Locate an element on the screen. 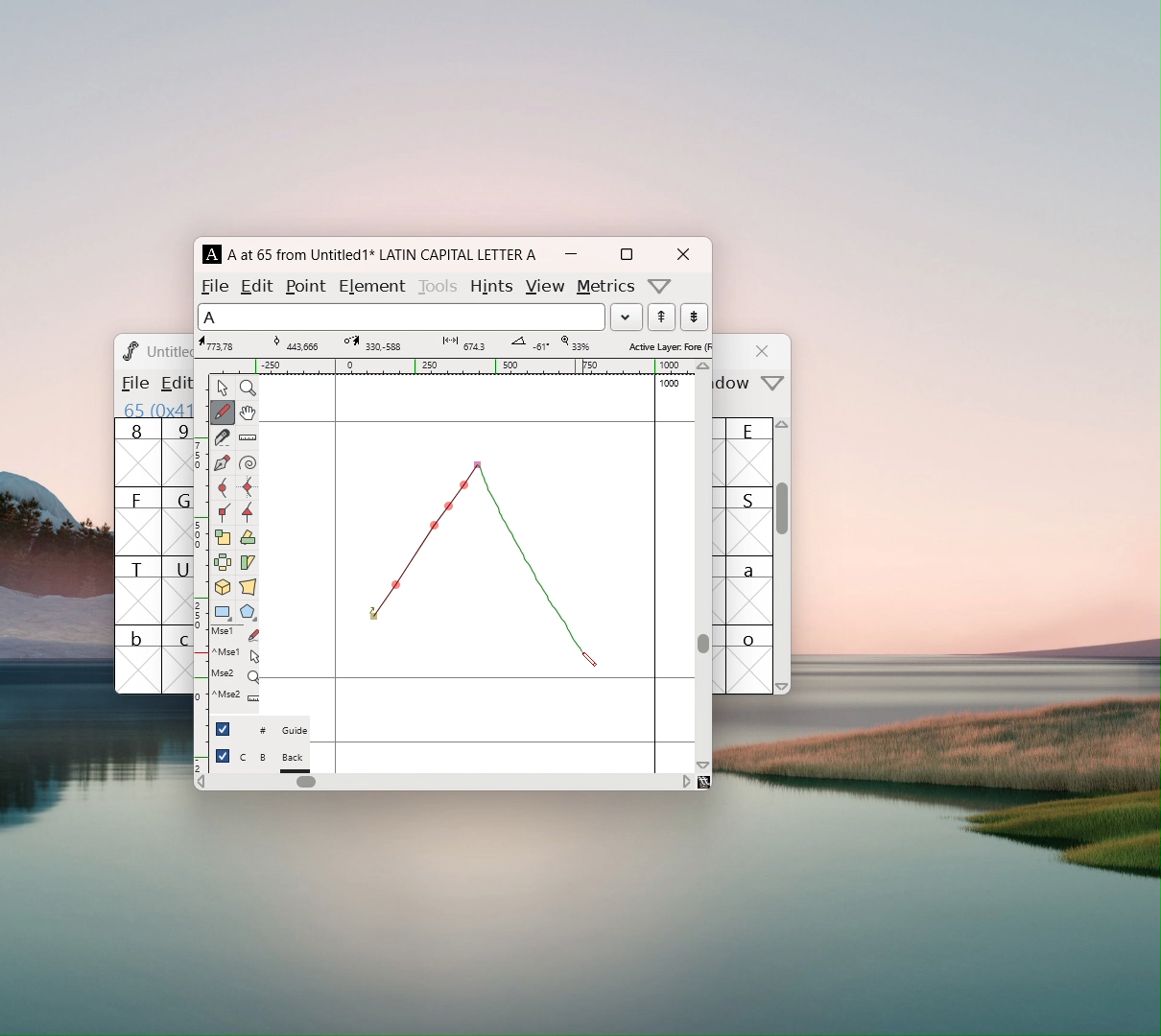  horizontal ruler is located at coordinates (452, 366).